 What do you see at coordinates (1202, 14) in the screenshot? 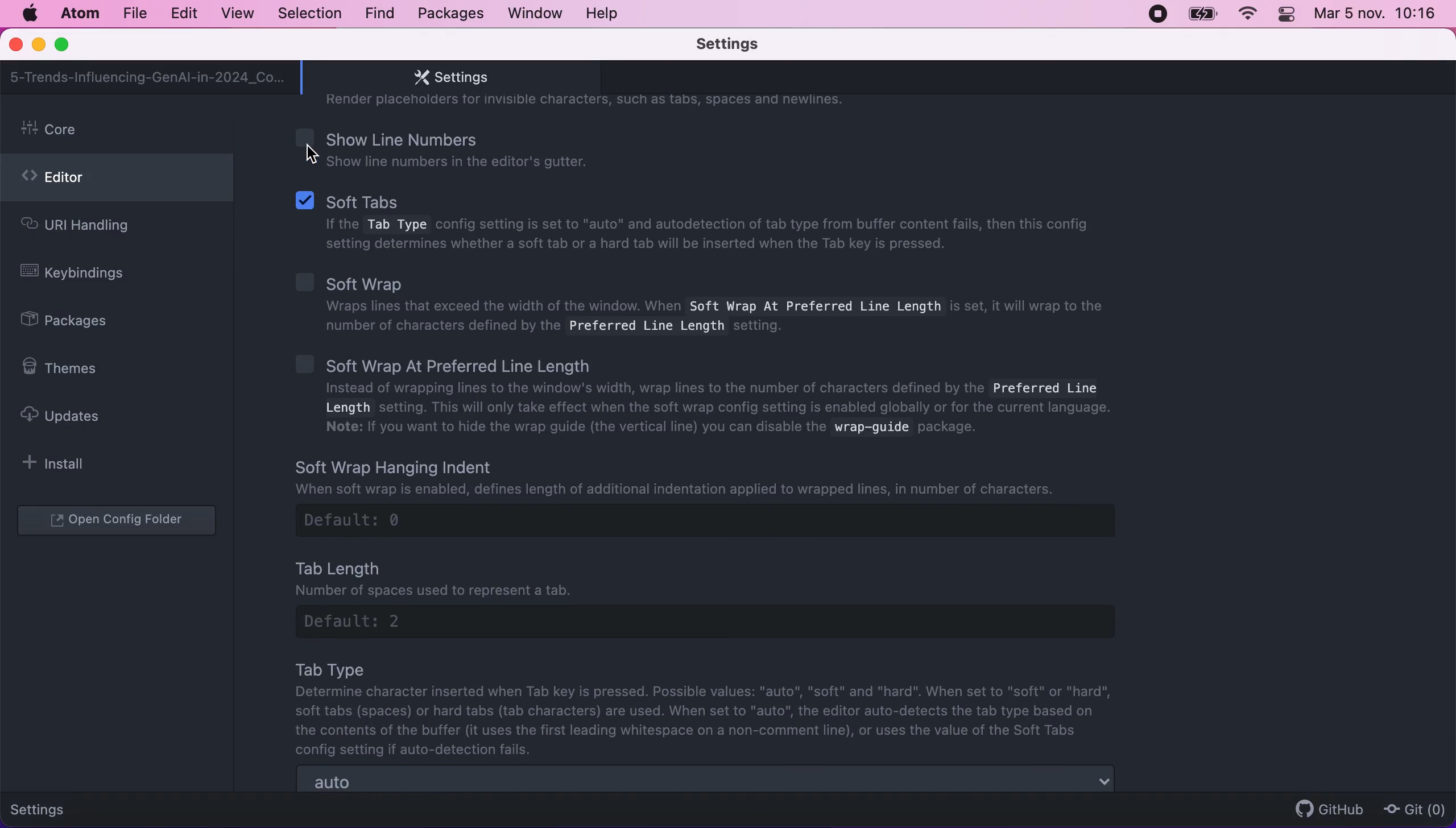
I see `battery` at bounding box center [1202, 14].